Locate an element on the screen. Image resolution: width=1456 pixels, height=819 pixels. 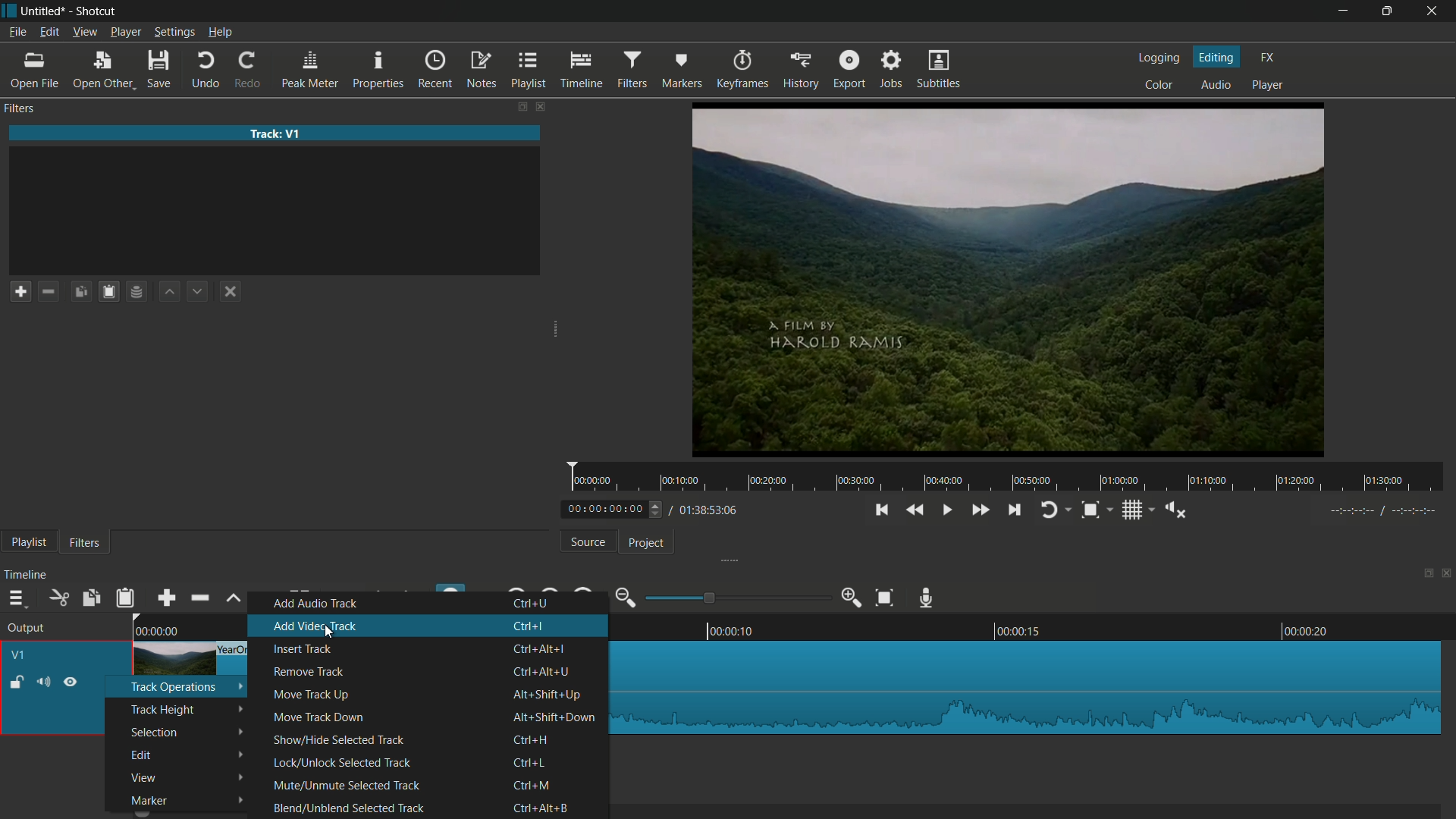
quickly play forward is located at coordinates (977, 509).